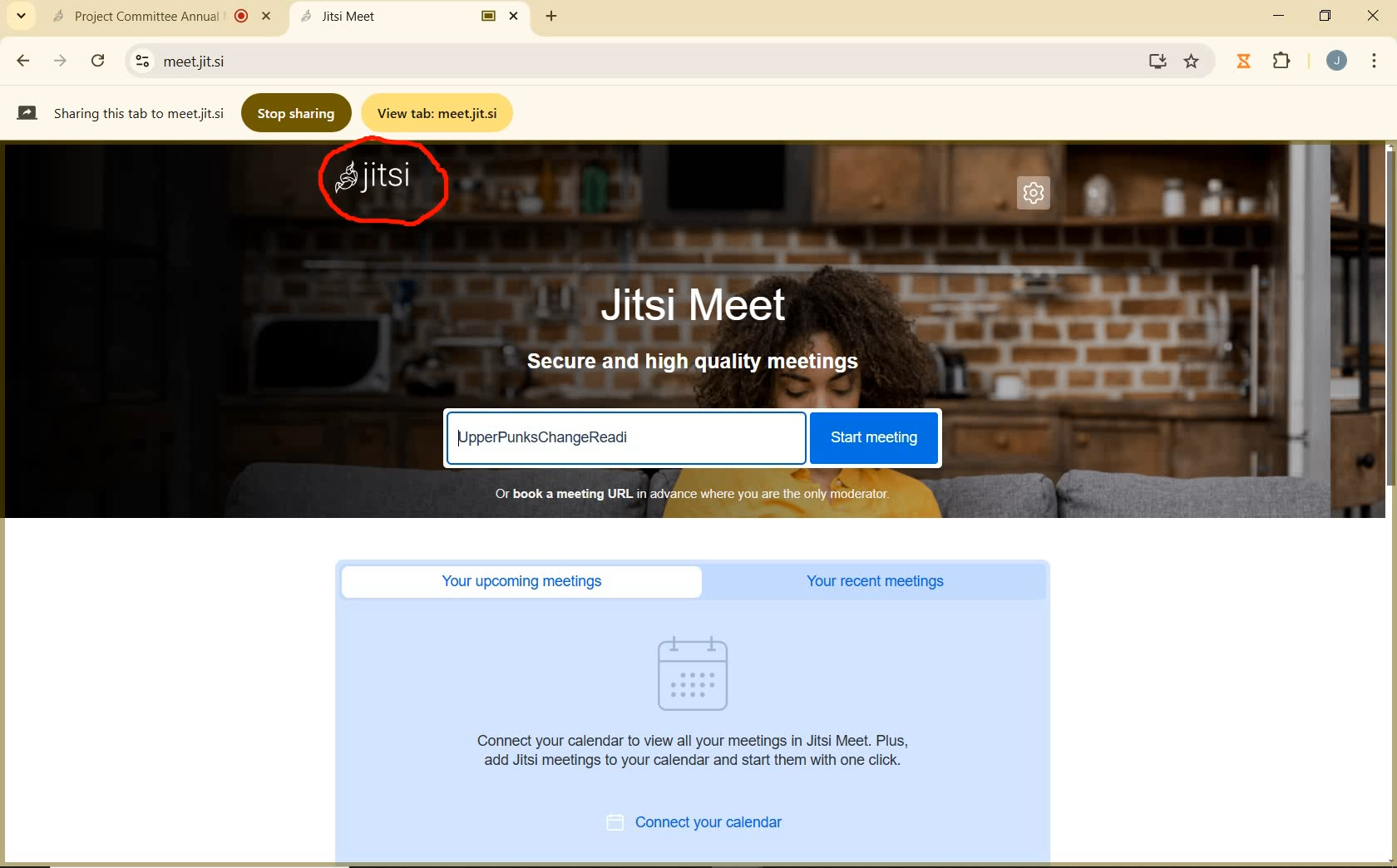  Describe the element at coordinates (527, 582) in the screenshot. I see `YOUR UPCOMING MEETINGS` at that location.